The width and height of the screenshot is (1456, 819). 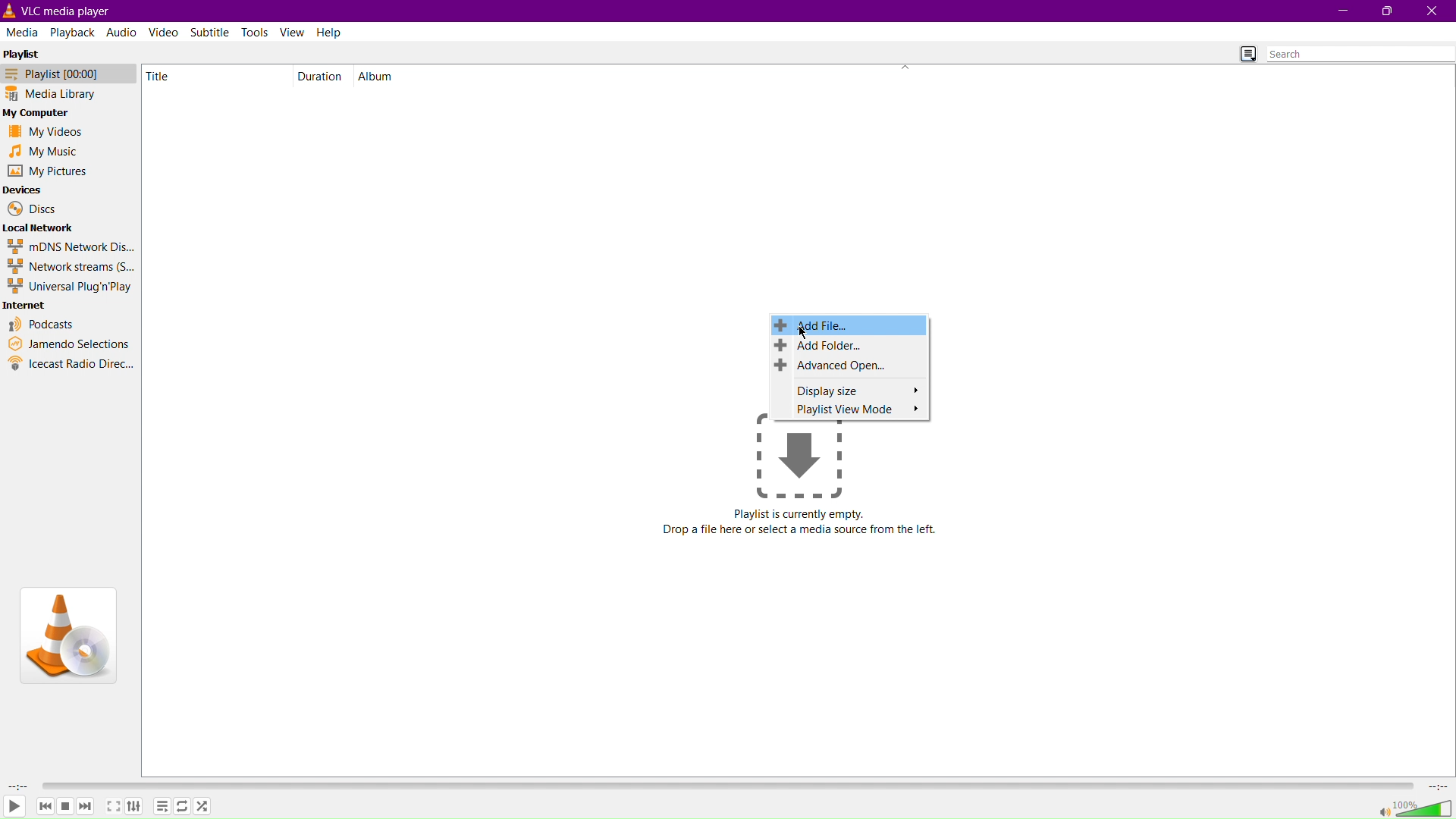 I want to click on VLC Logo, so click(x=67, y=634).